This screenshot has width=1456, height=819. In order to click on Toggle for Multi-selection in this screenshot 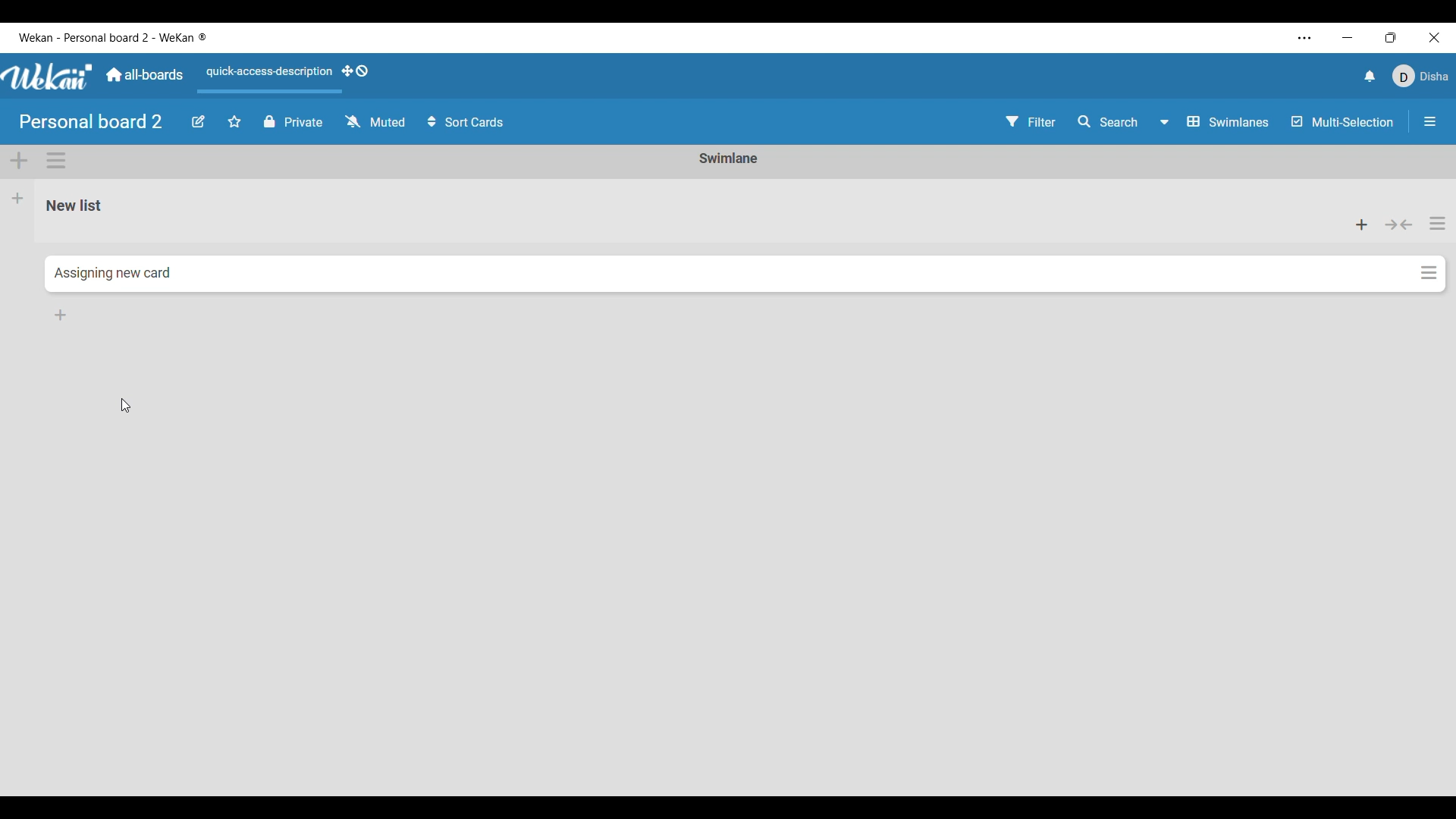, I will do `click(1343, 121)`.